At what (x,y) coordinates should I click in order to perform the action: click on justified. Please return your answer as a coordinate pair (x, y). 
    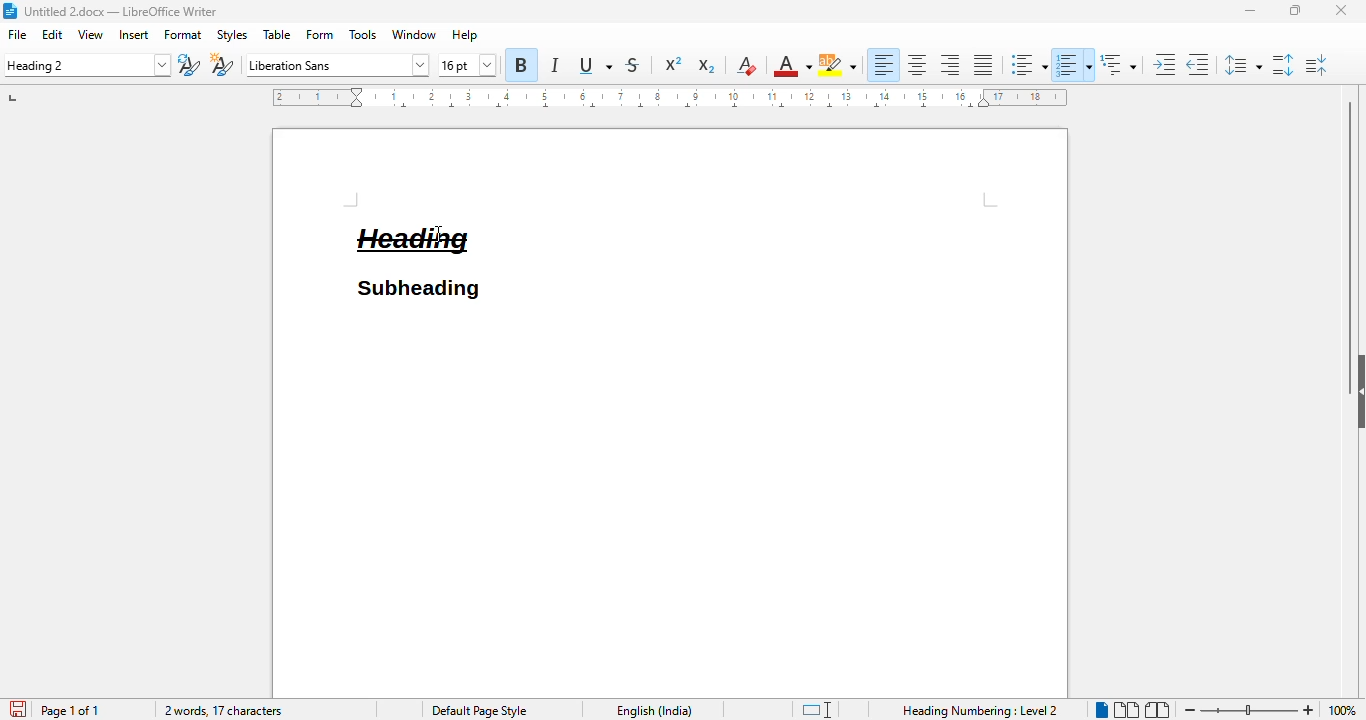
    Looking at the image, I should click on (984, 65).